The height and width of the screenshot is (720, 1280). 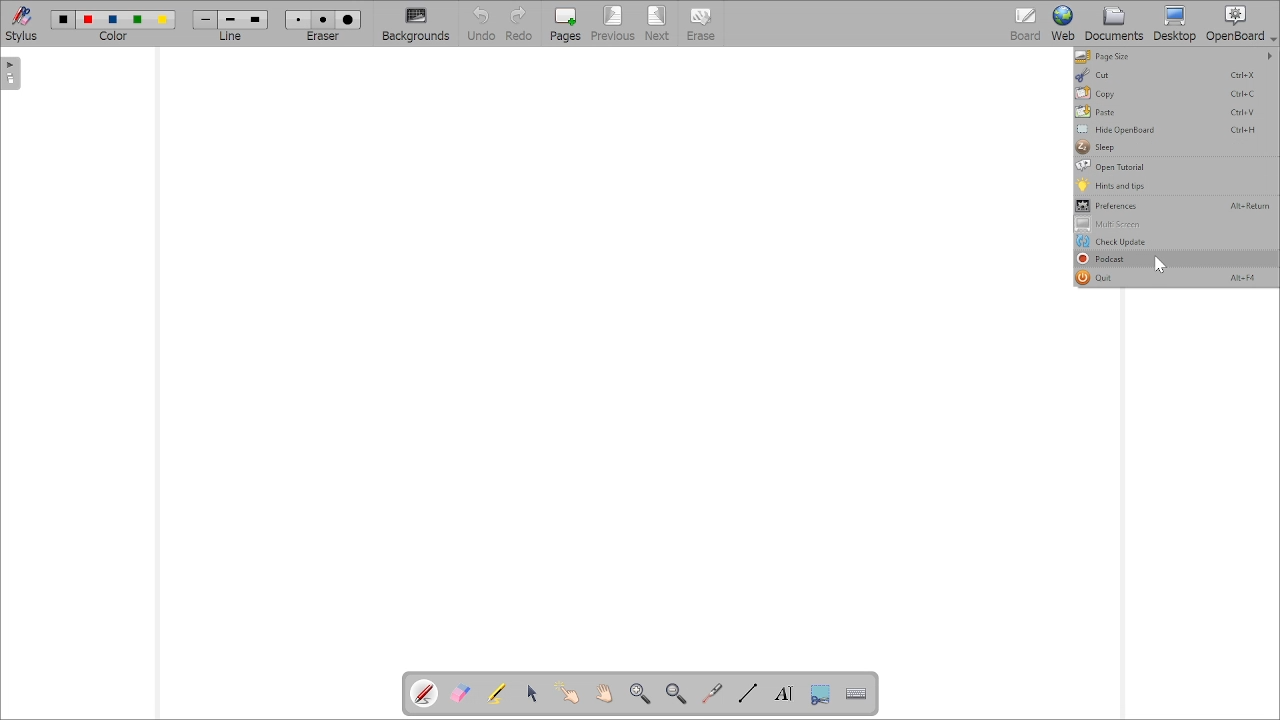 I want to click on show sidebar, so click(x=11, y=73).